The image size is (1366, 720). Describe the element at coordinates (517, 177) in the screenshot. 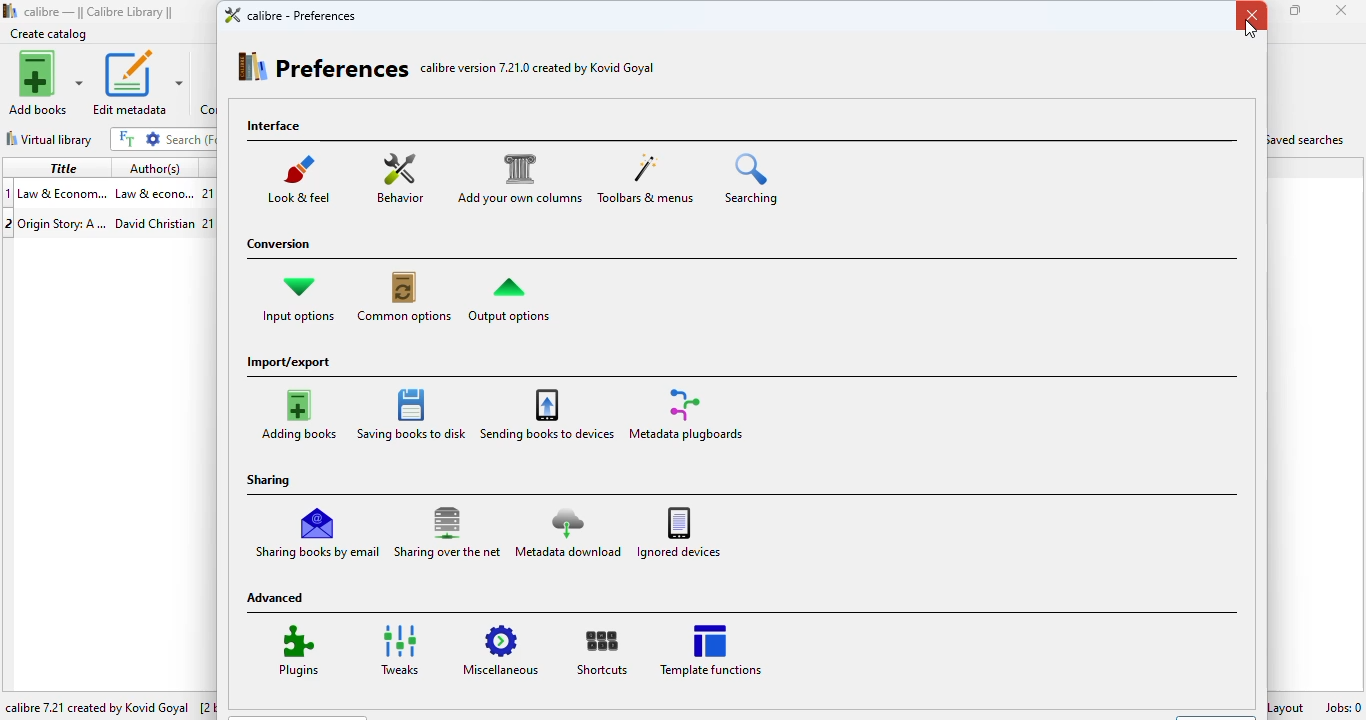

I see `add your own columns` at that location.